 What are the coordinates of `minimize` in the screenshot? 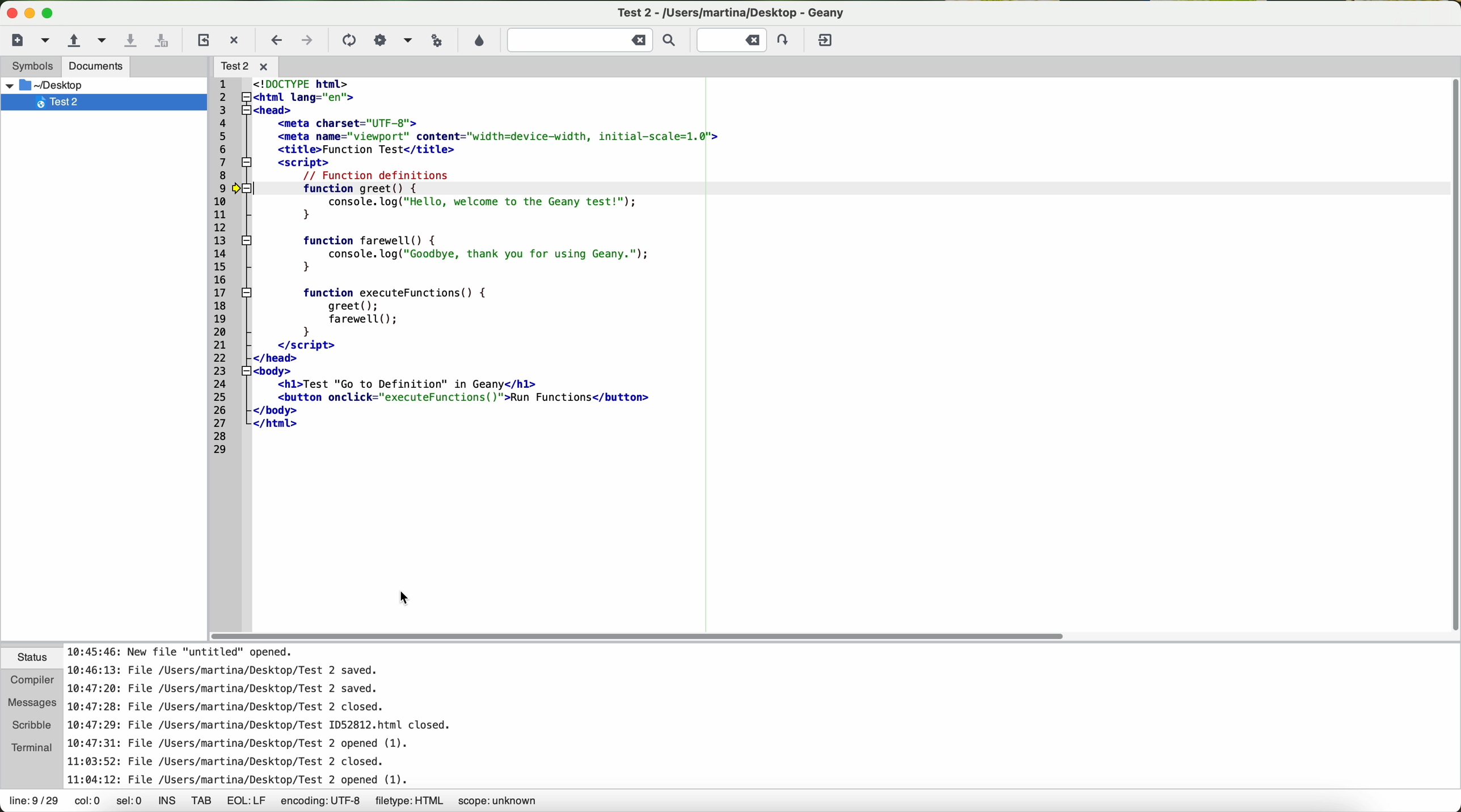 It's located at (30, 14).